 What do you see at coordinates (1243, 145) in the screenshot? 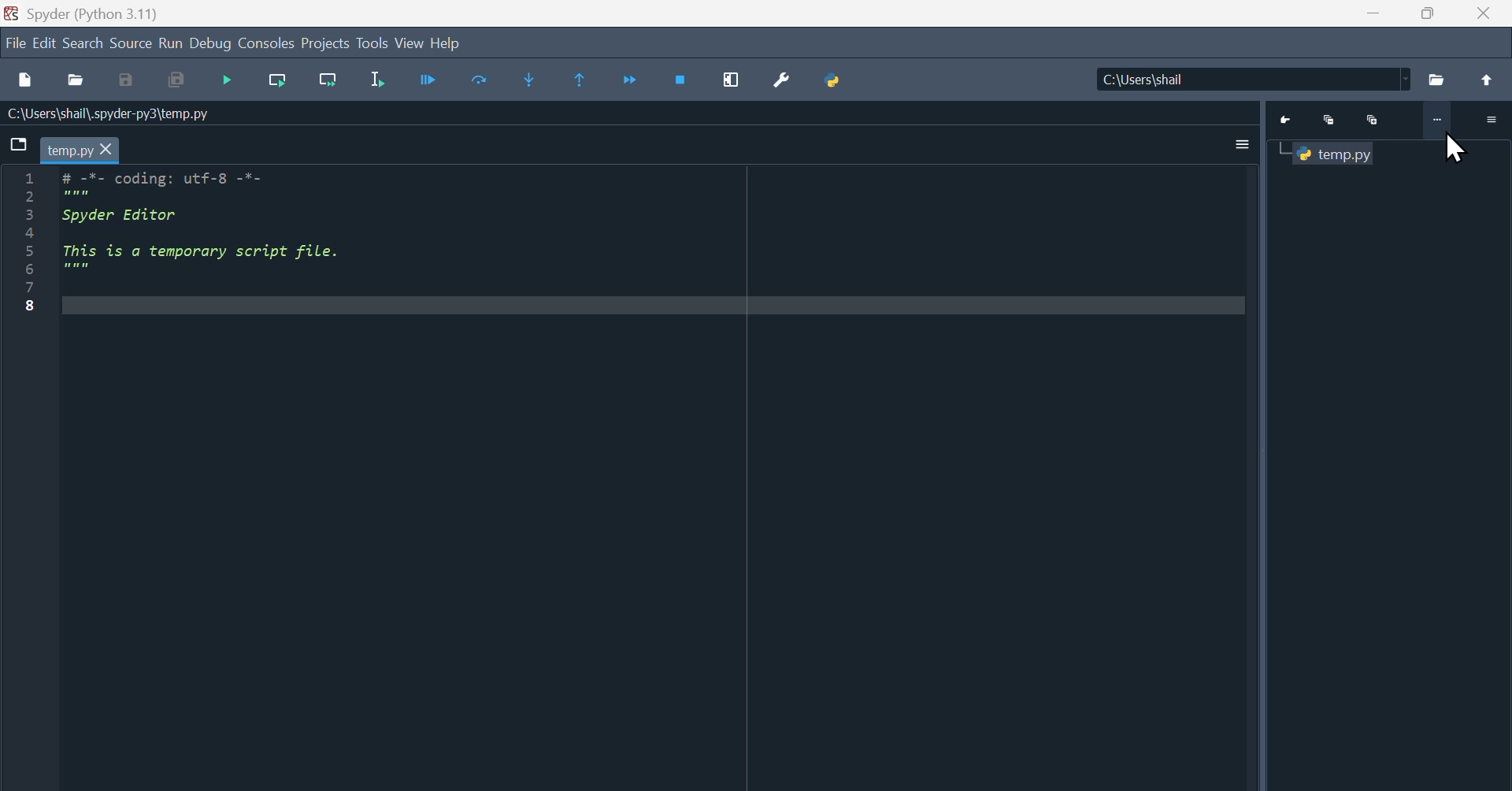
I see `More options` at bounding box center [1243, 145].